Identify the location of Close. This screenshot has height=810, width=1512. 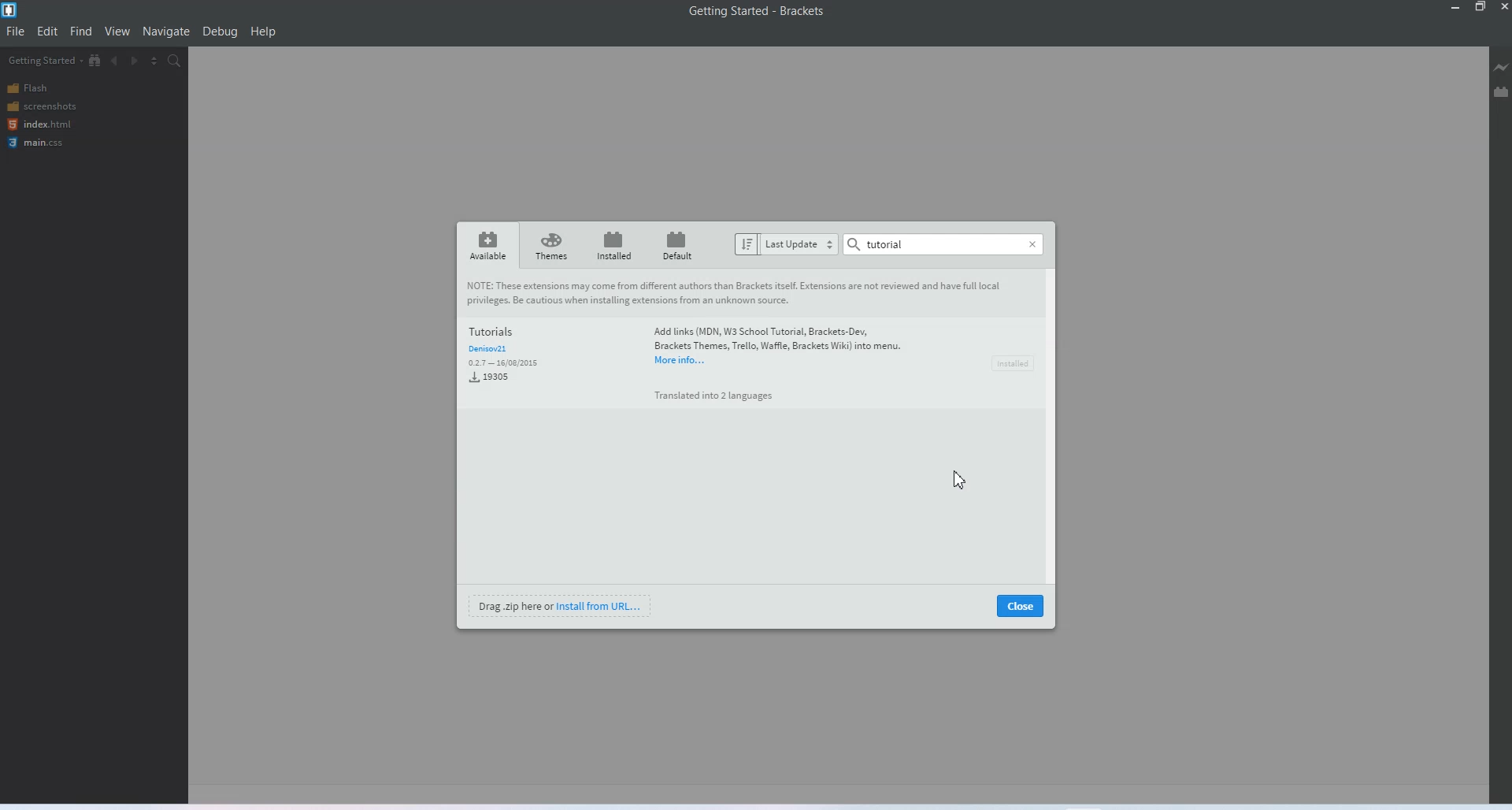
(1021, 605).